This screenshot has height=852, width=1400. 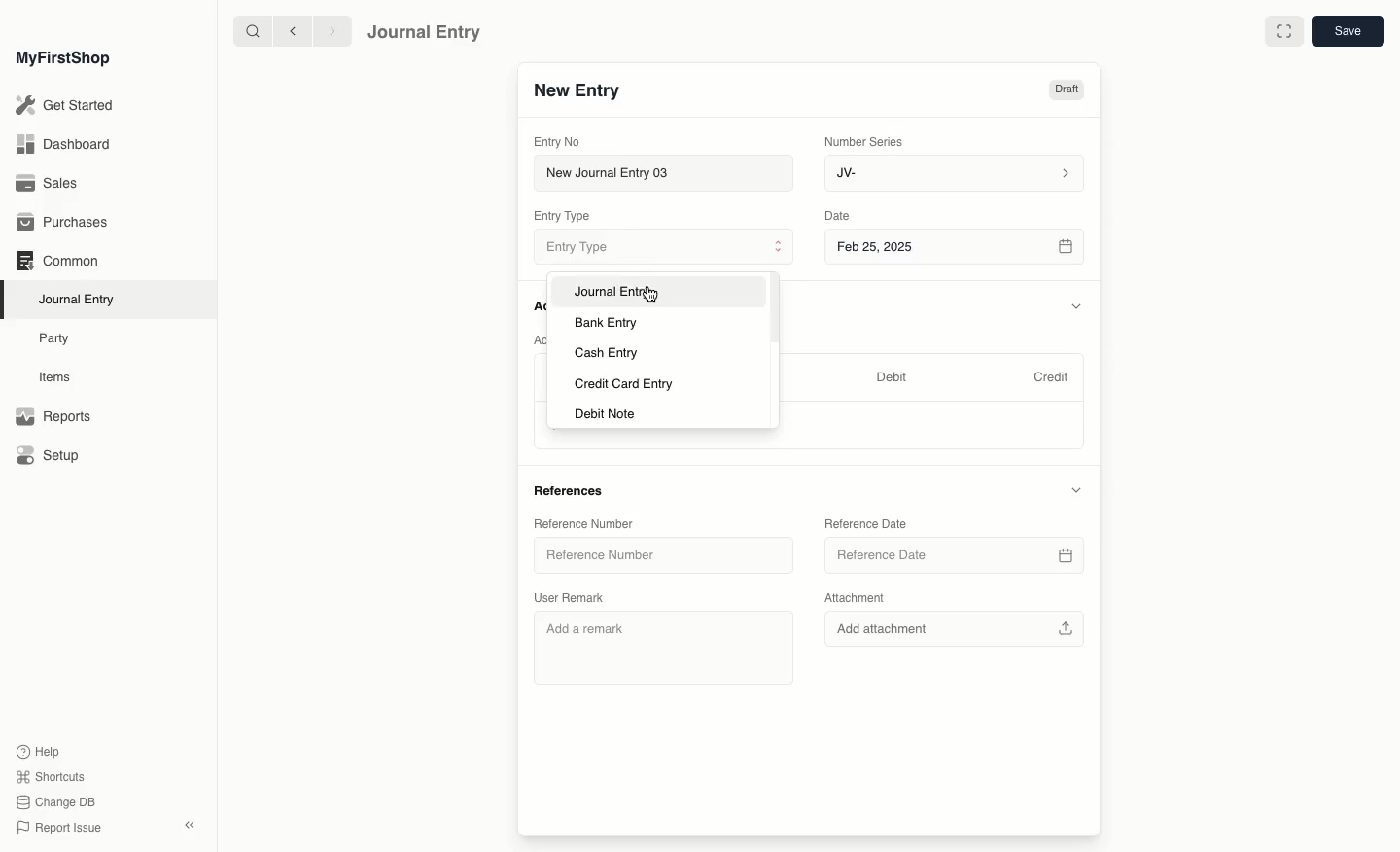 What do you see at coordinates (1066, 91) in the screenshot?
I see `Draft` at bounding box center [1066, 91].